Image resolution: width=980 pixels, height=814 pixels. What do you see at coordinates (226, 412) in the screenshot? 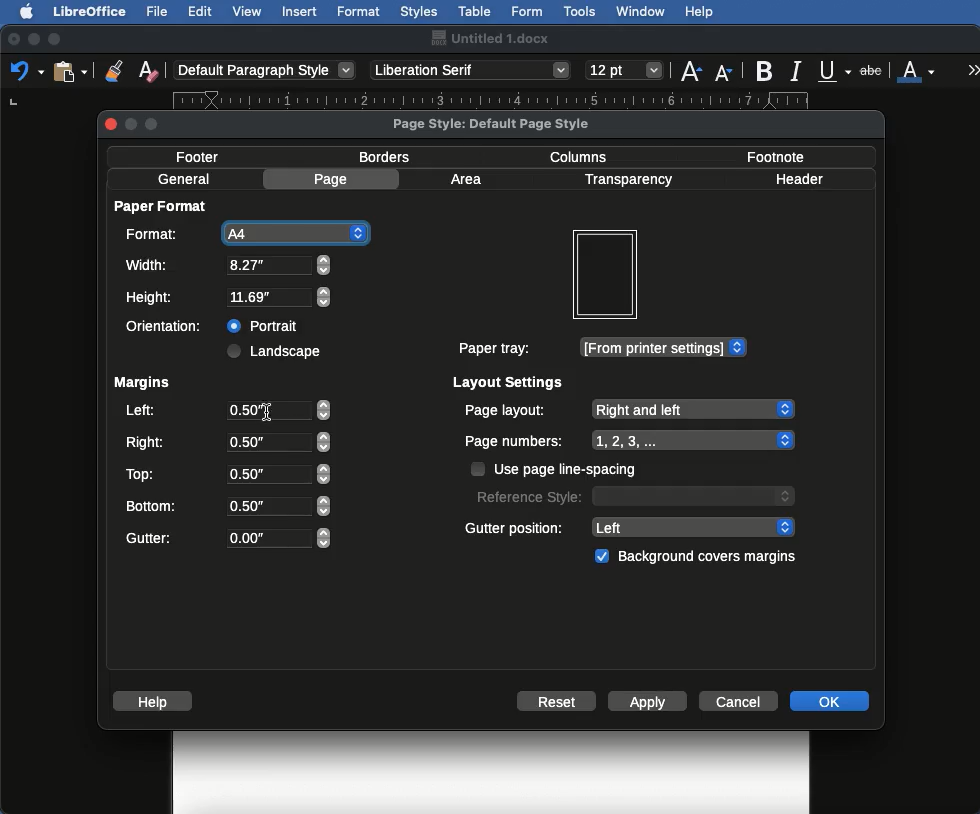
I see `Left` at bounding box center [226, 412].